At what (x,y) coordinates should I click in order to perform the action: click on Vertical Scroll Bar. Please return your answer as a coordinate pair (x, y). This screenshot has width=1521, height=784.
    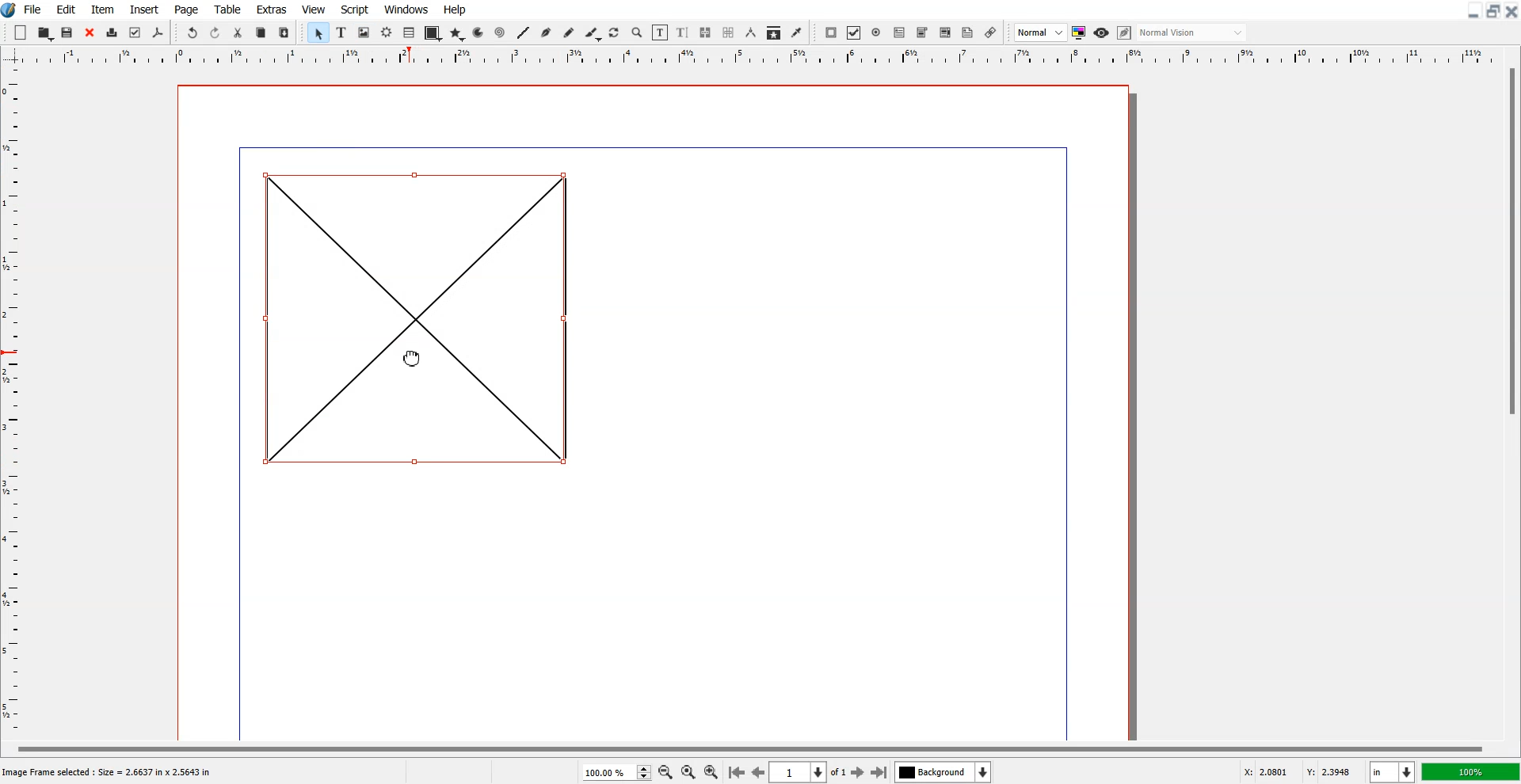
    Looking at the image, I should click on (1510, 401).